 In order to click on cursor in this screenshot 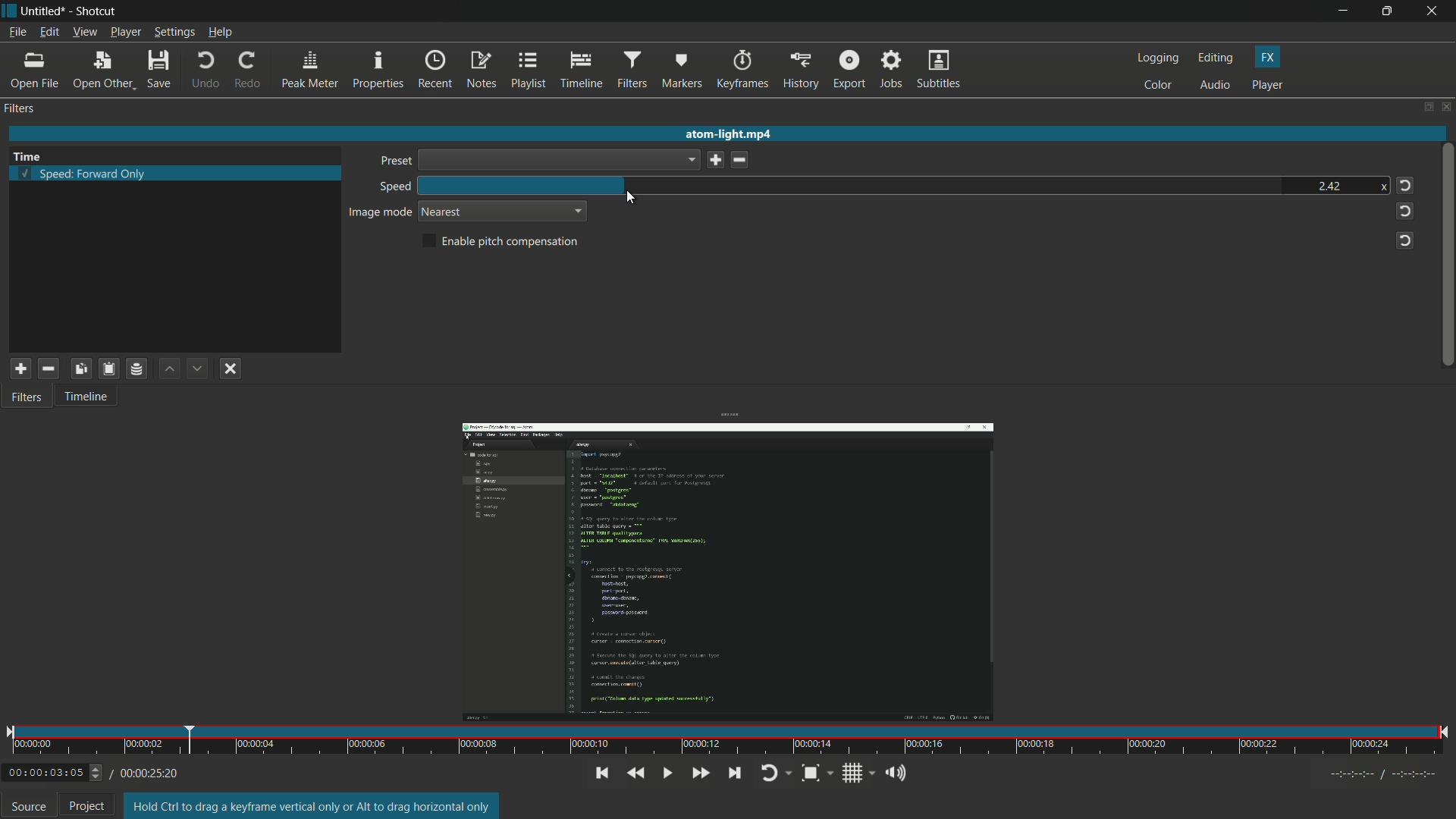, I will do `click(630, 199)`.